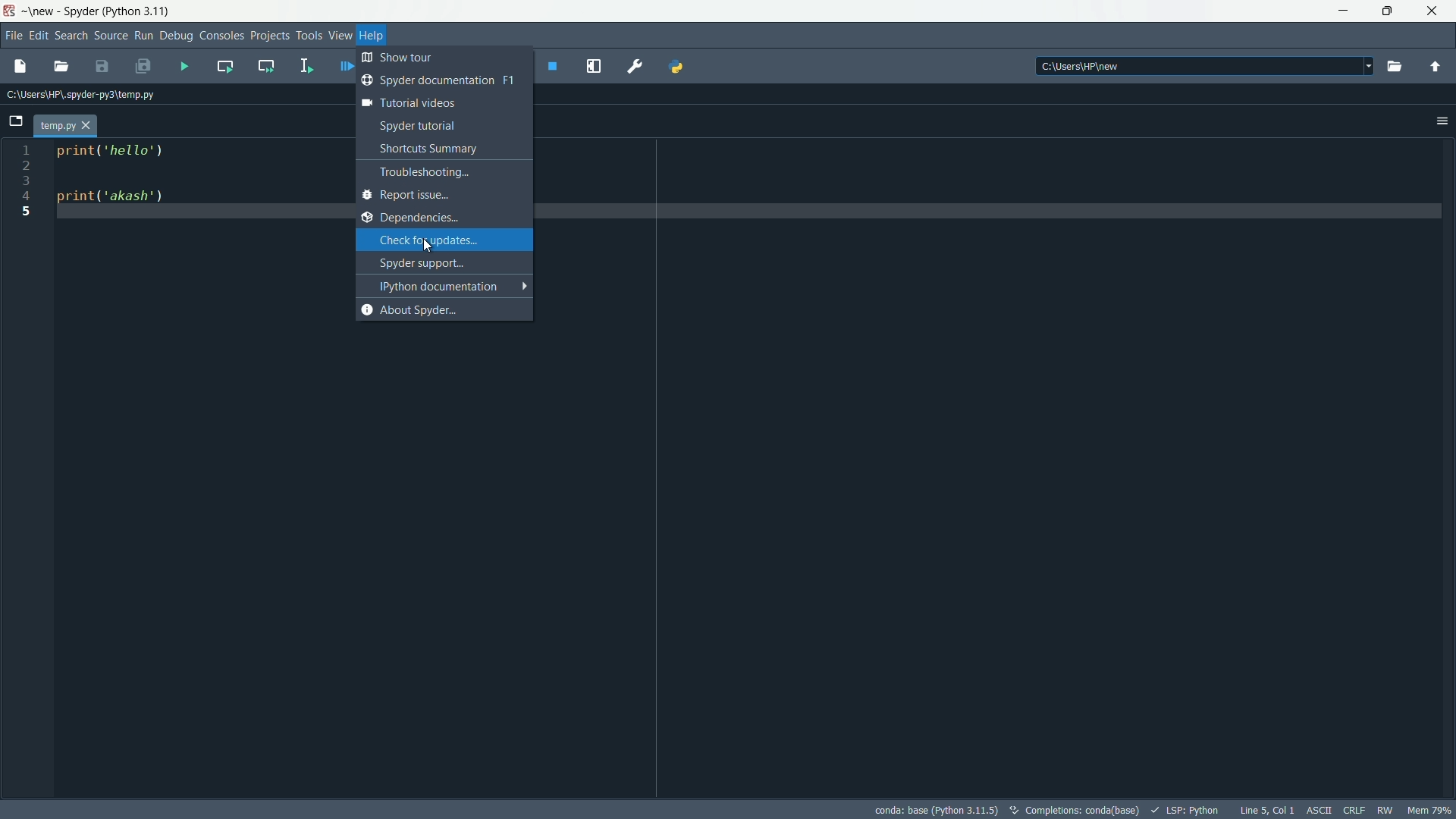  Describe the element at coordinates (1355, 810) in the screenshot. I see `crlf` at that location.